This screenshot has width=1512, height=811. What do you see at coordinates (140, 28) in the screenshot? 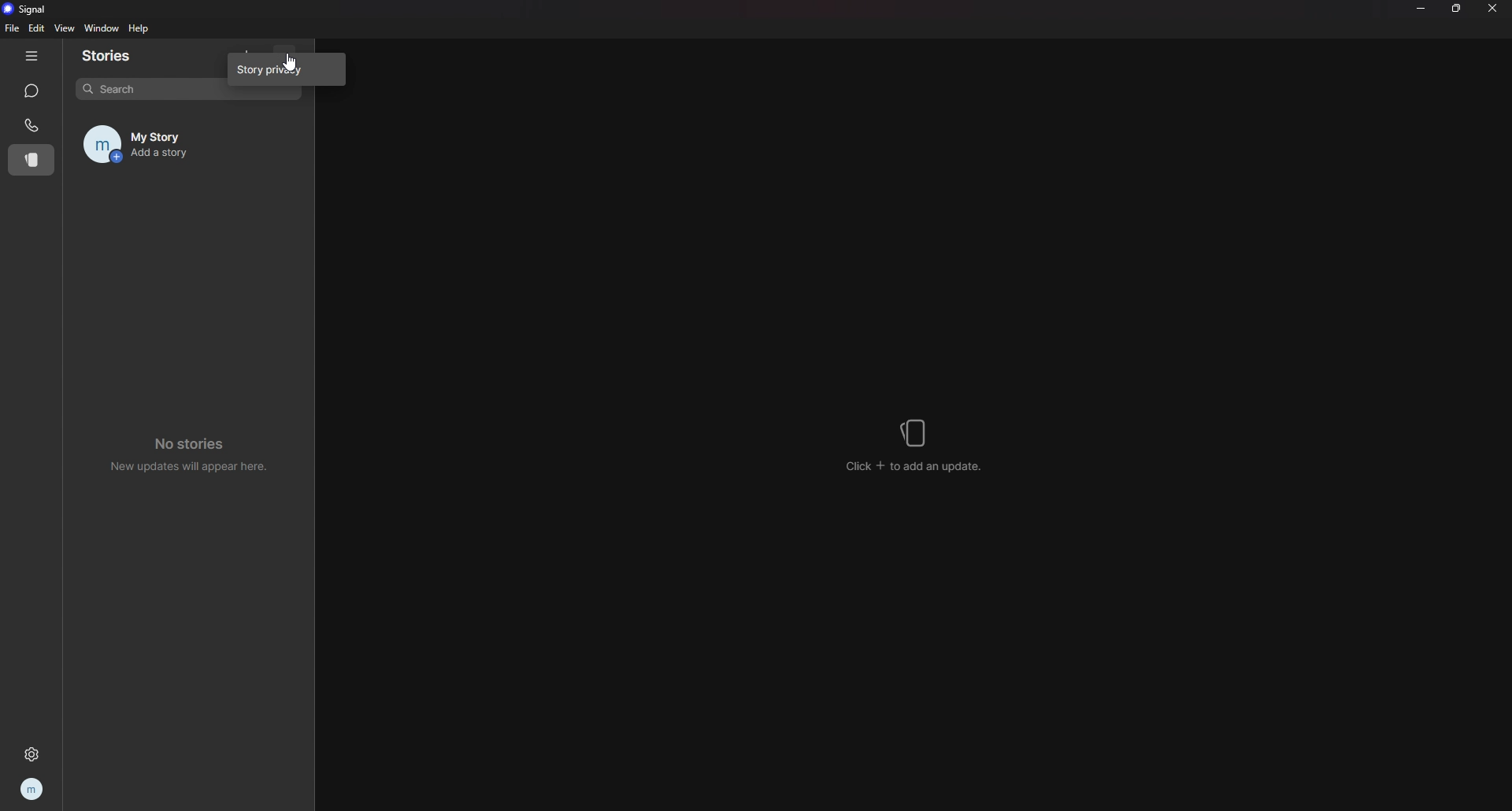
I see `help` at bounding box center [140, 28].